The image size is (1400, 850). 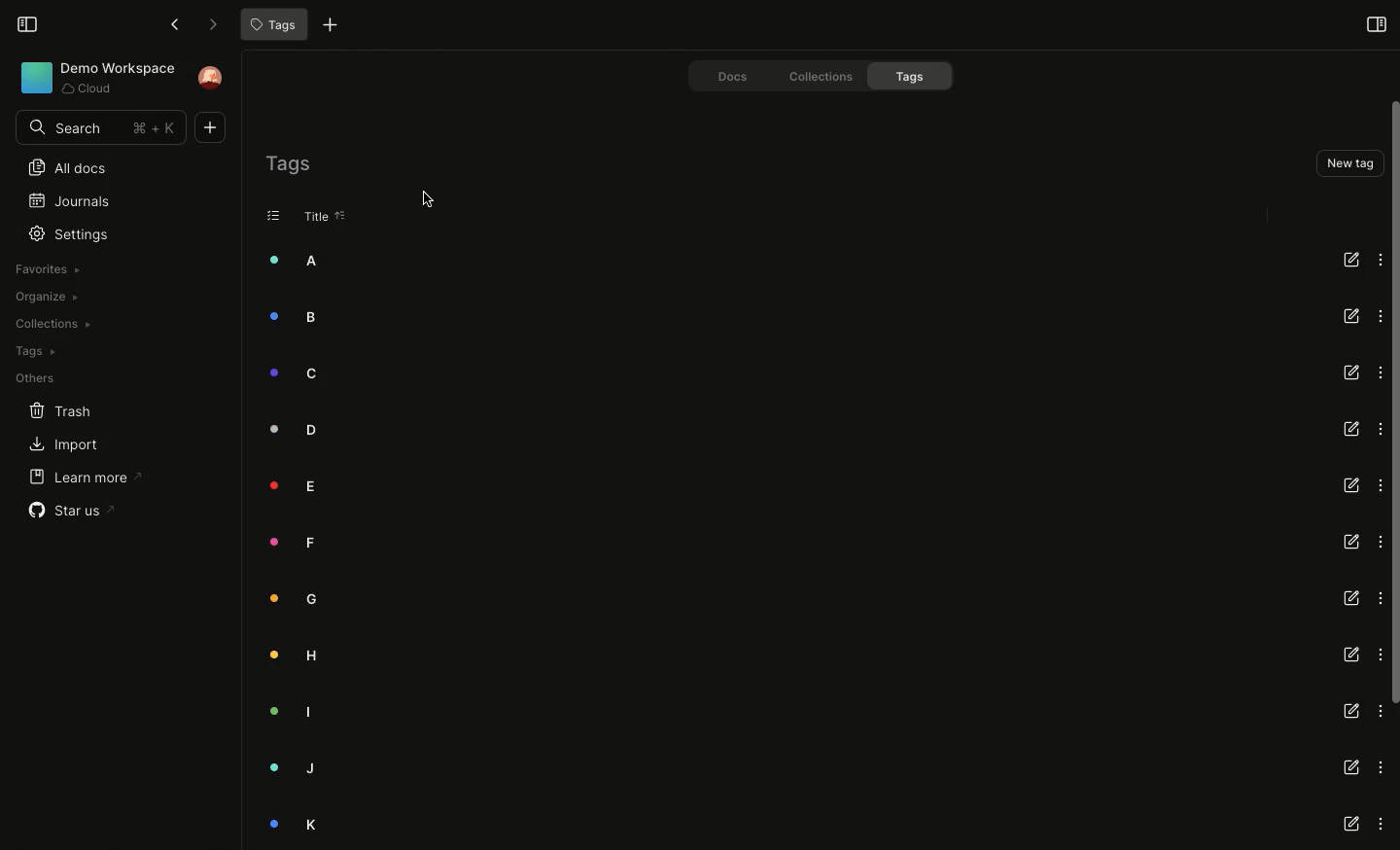 What do you see at coordinates (294, 374) in the screenshot?
I see `C` at bounding box center [294, 374].